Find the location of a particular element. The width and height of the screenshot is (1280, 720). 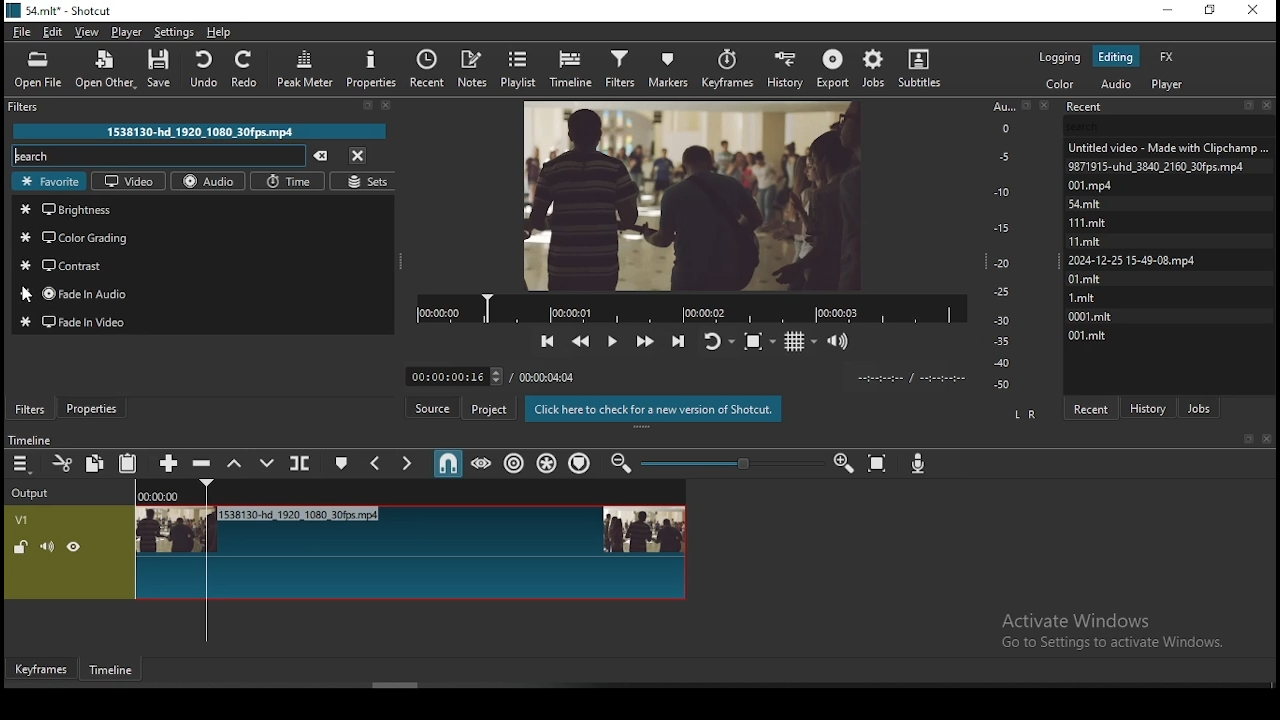

Recent is located at coordinates (1171, 104).